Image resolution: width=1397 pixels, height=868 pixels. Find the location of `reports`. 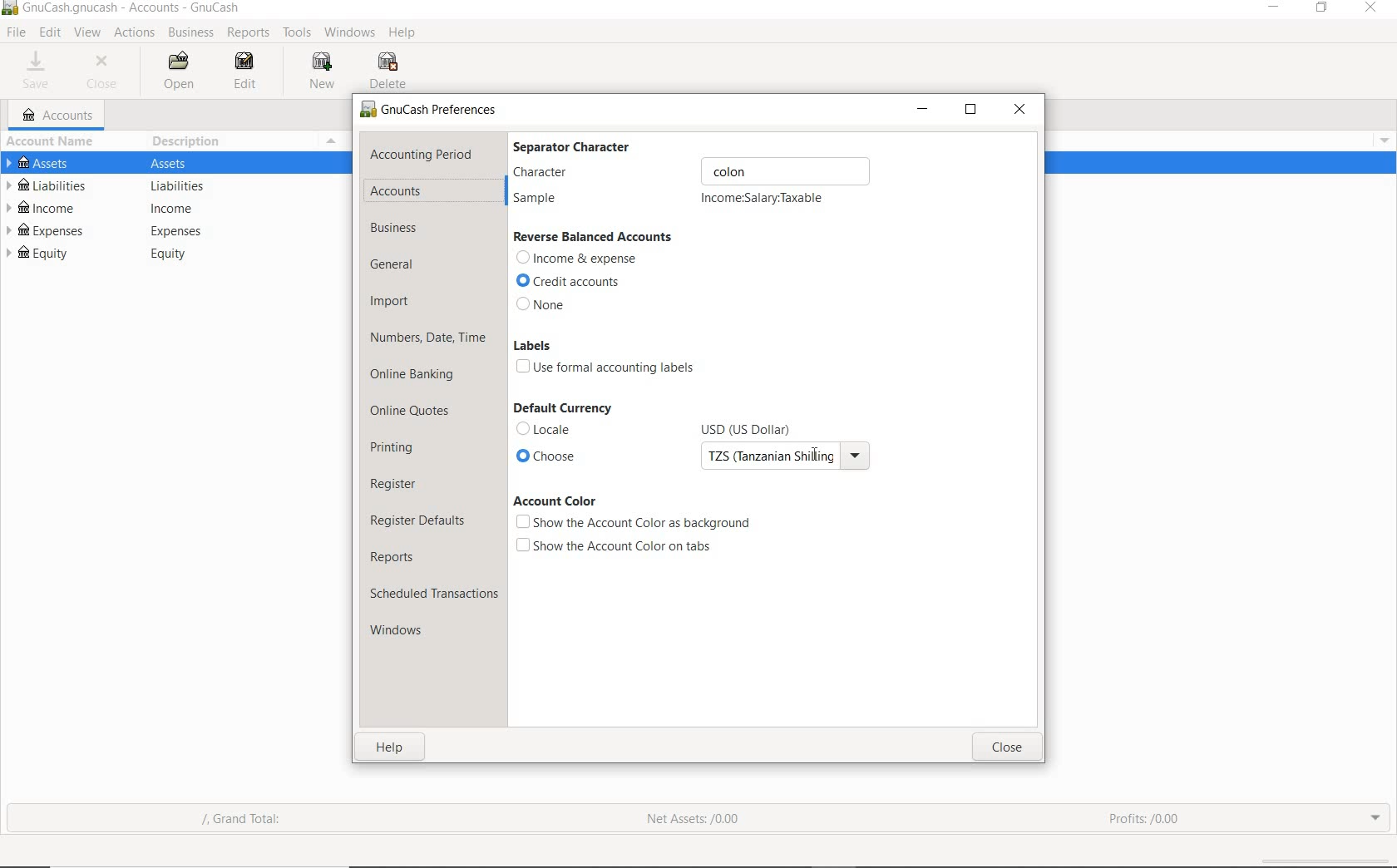

reports is located at coordinates (397, 556).